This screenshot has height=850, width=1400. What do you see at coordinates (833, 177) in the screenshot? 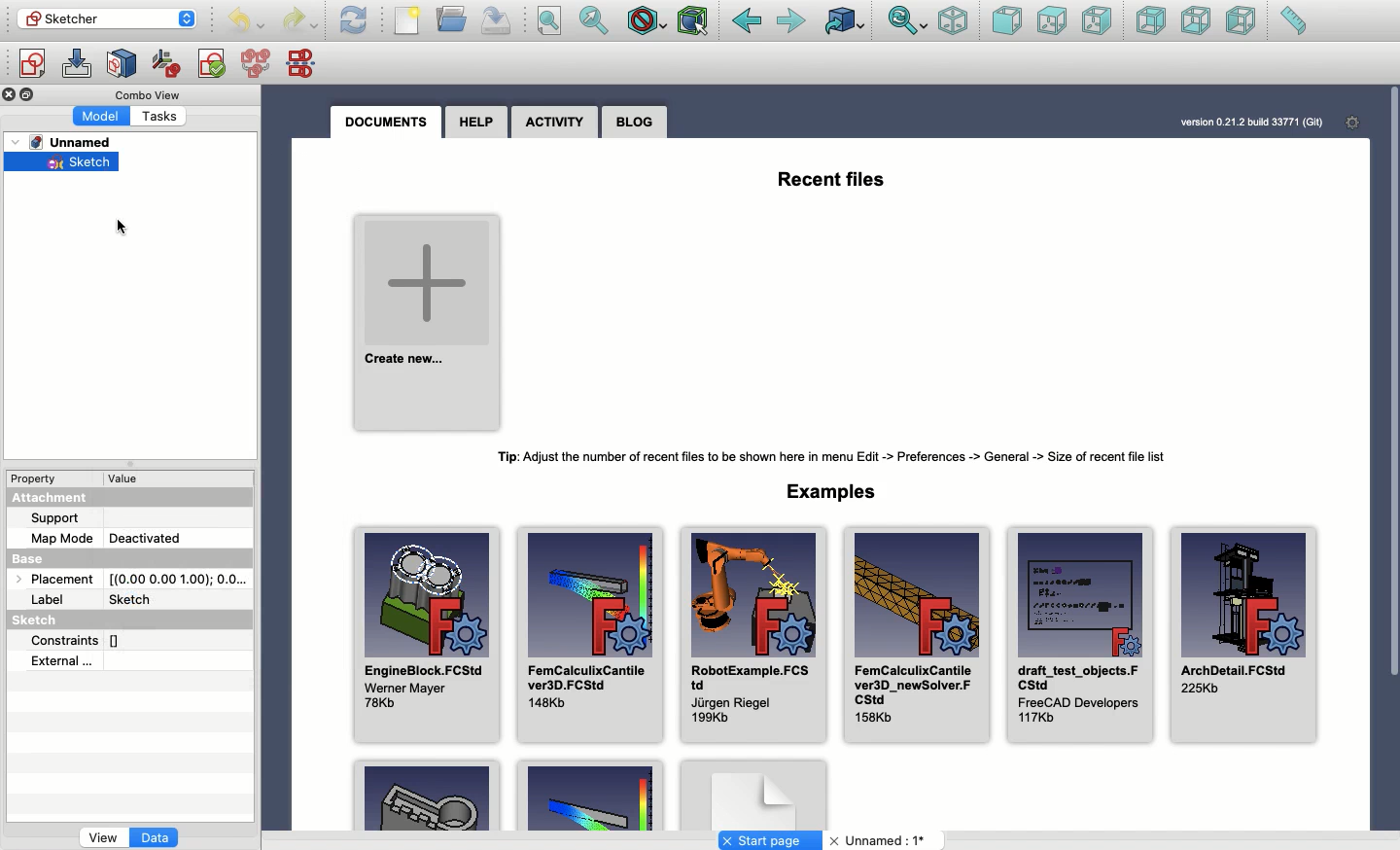
I see `Recent files` at bounding box center [833, 177].